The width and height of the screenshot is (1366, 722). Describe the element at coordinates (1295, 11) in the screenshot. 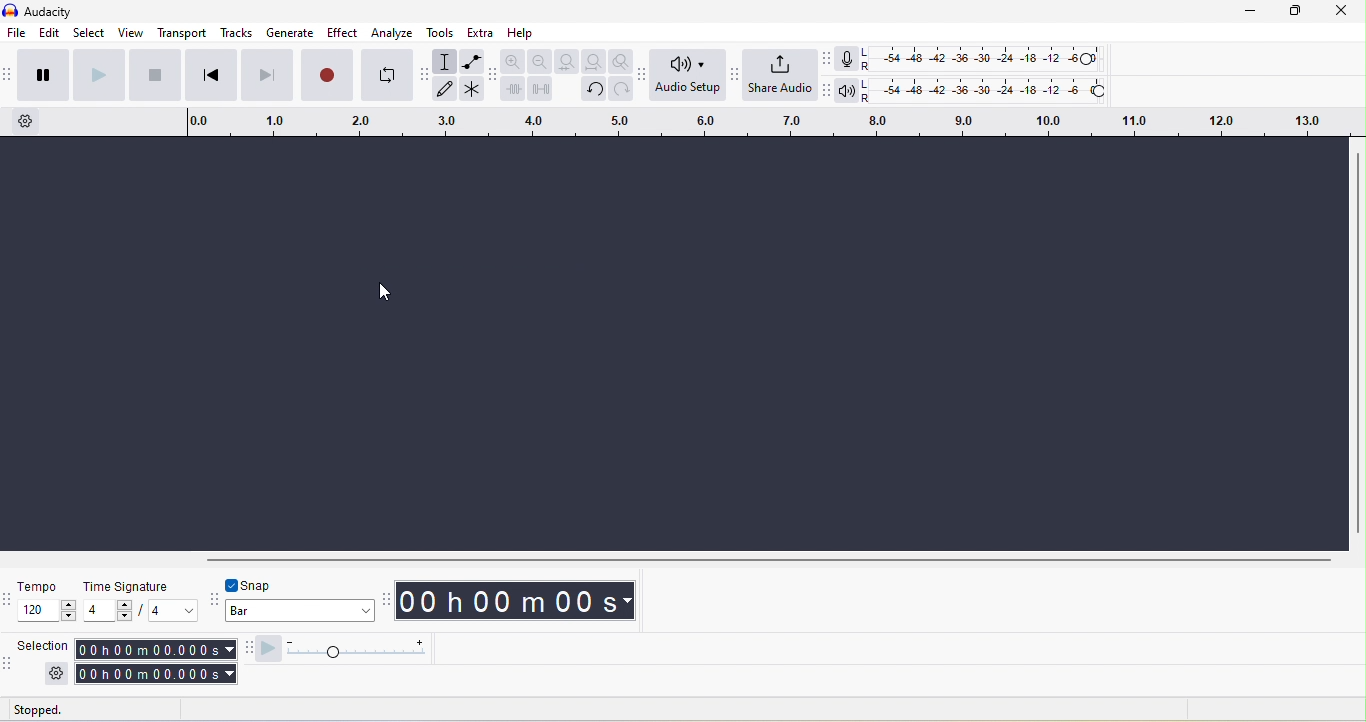

I see `maximize` at that location.